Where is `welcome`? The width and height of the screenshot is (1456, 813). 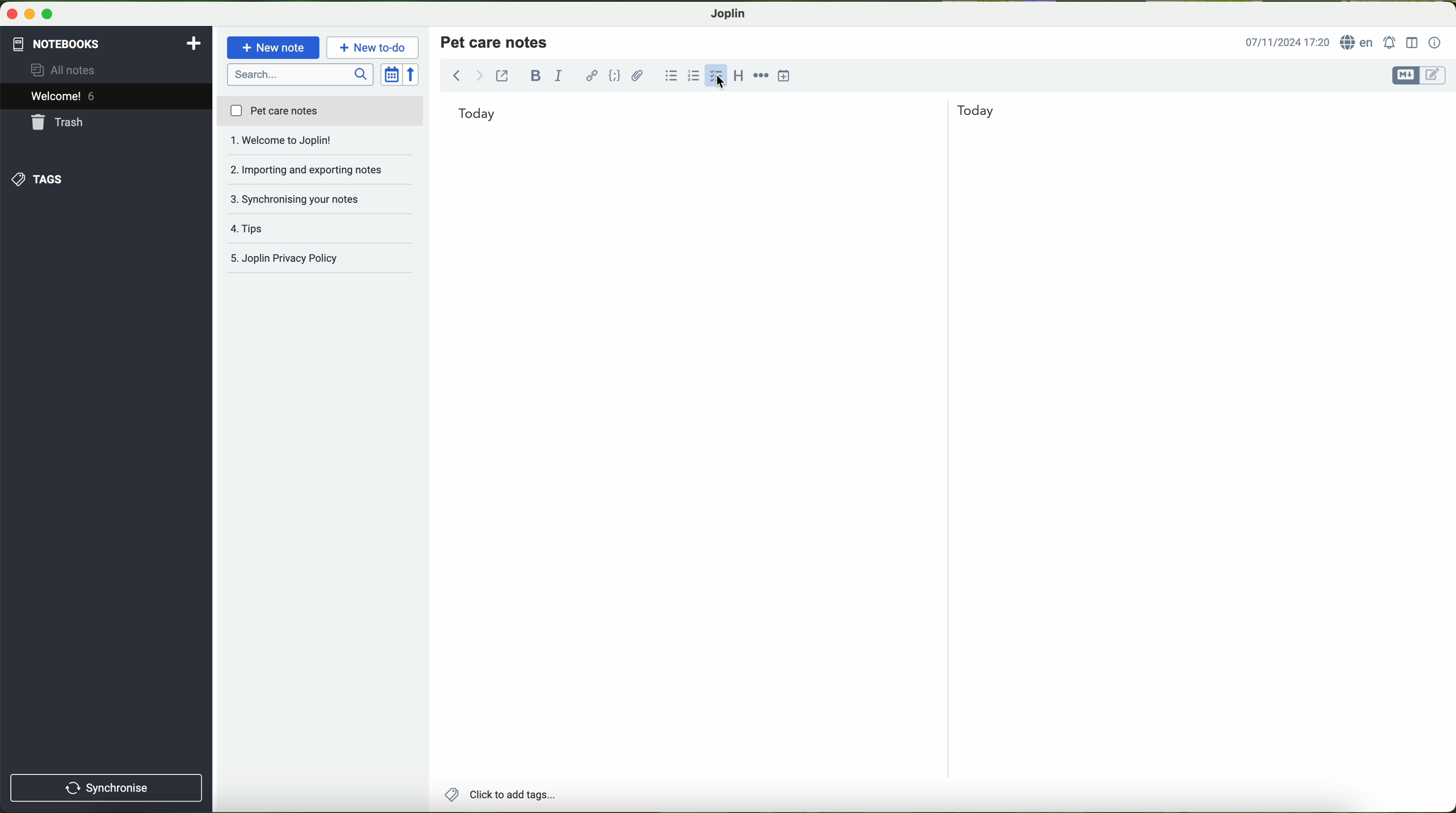 welcome is located at coordinates (106, 98).